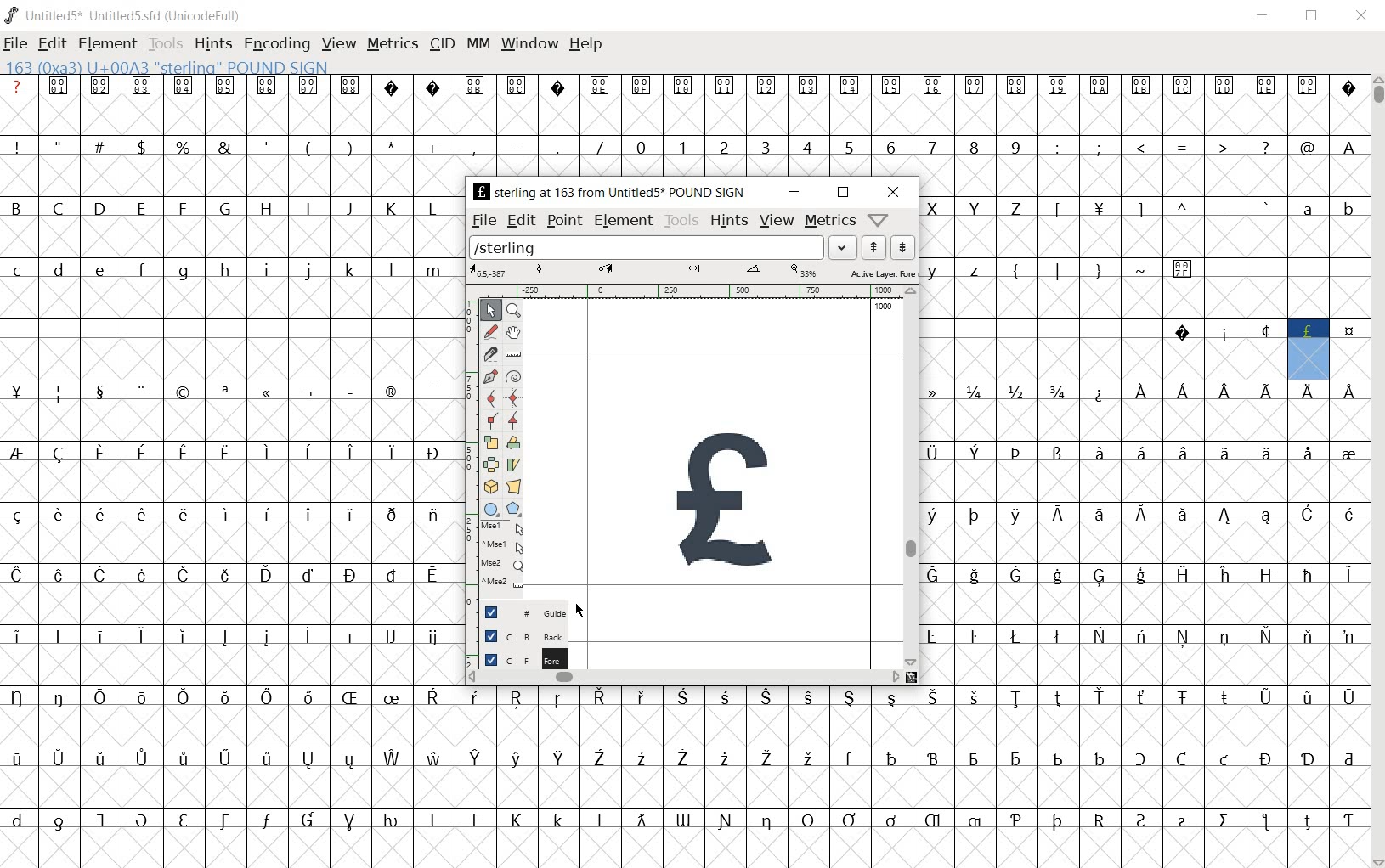 The height and width of the screenshot is (868, 1385). Describe the element at coordinates (1348, 819) in the screenshot. I see `Symbol` at that location.